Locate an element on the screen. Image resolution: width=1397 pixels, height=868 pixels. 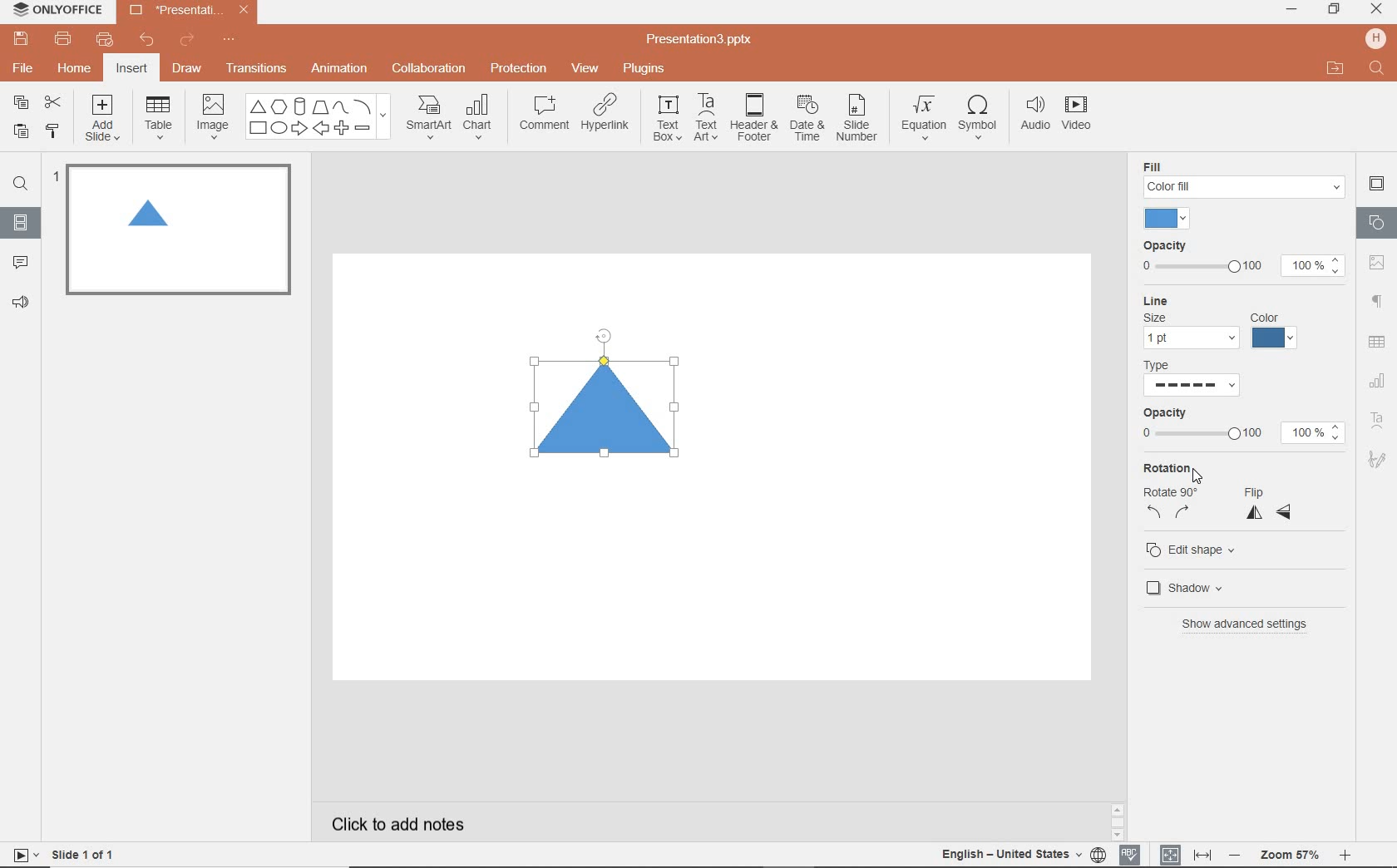
OPEN FILE LOCATION is located at coordinates (1335, 68).